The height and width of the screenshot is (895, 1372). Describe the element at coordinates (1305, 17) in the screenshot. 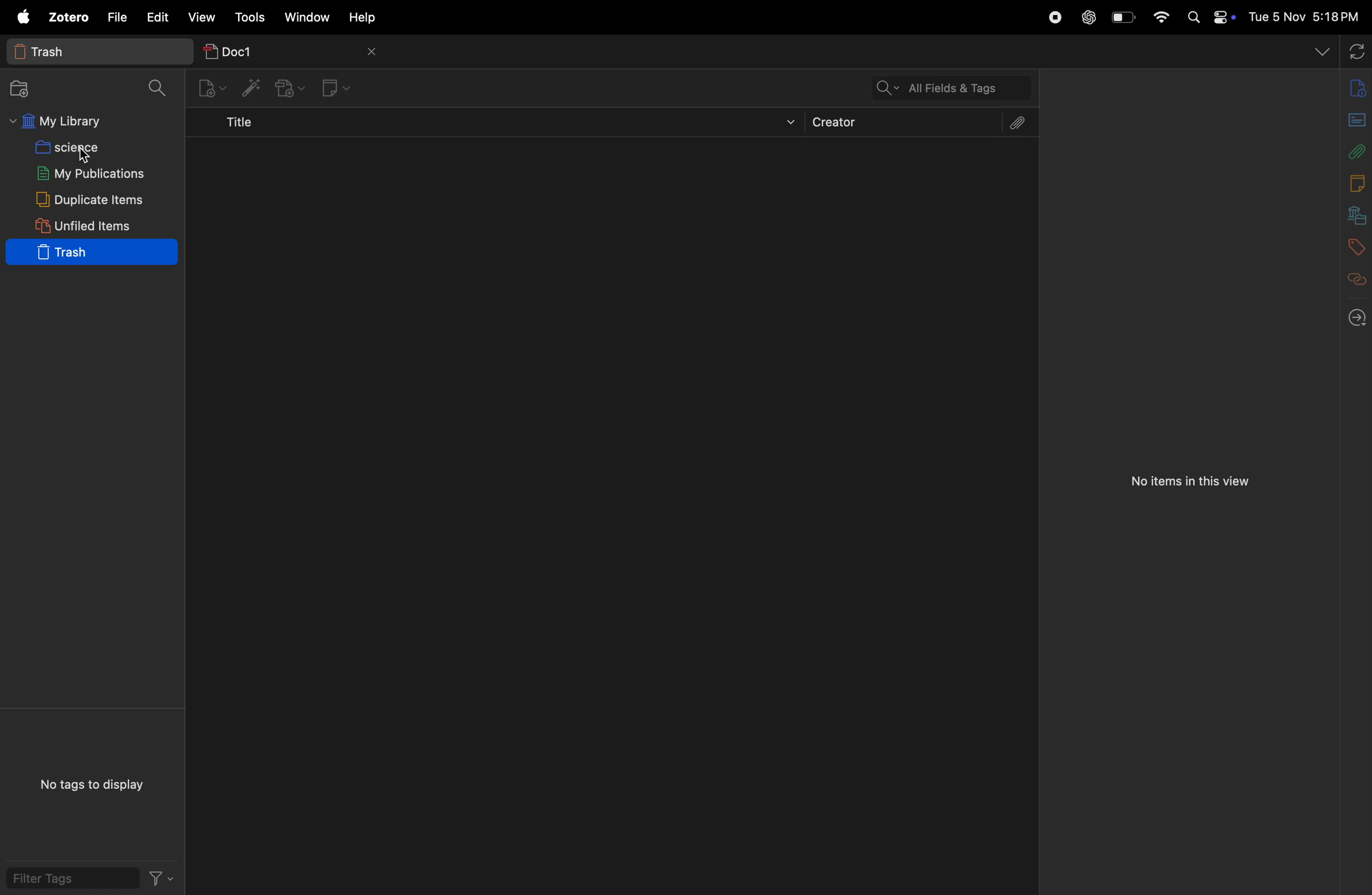

I see `Tue 5 Nov 5:18PM (time and date)` at that location.